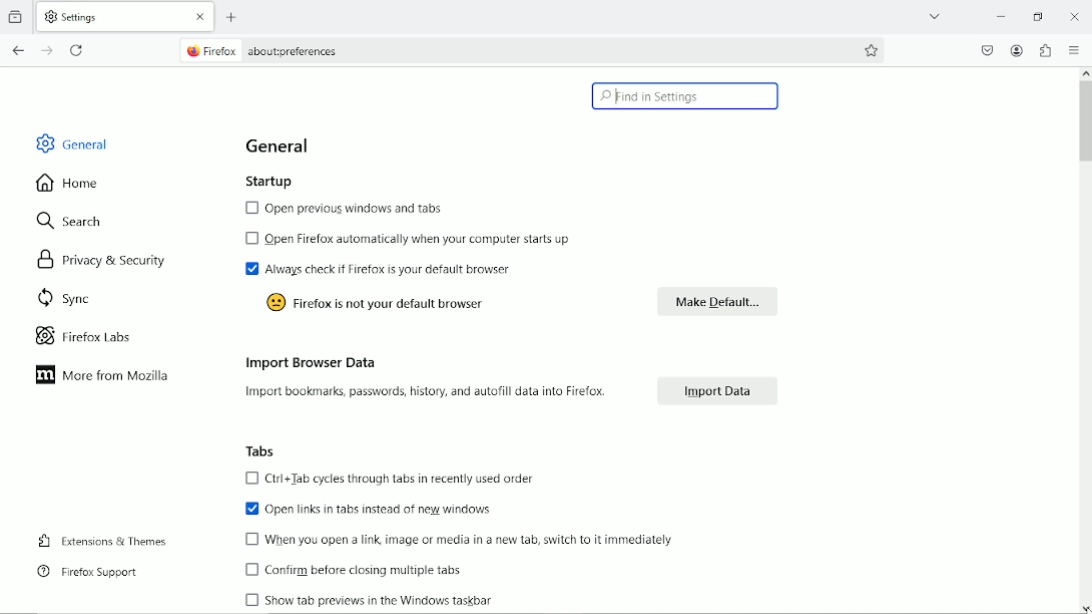 Image resolution: width=1092 pixels, height=614 pixels. What do you see at coordinates (77, 52) in the screenshot?
I see `Reload current tab` at bounding box center [77, 52].